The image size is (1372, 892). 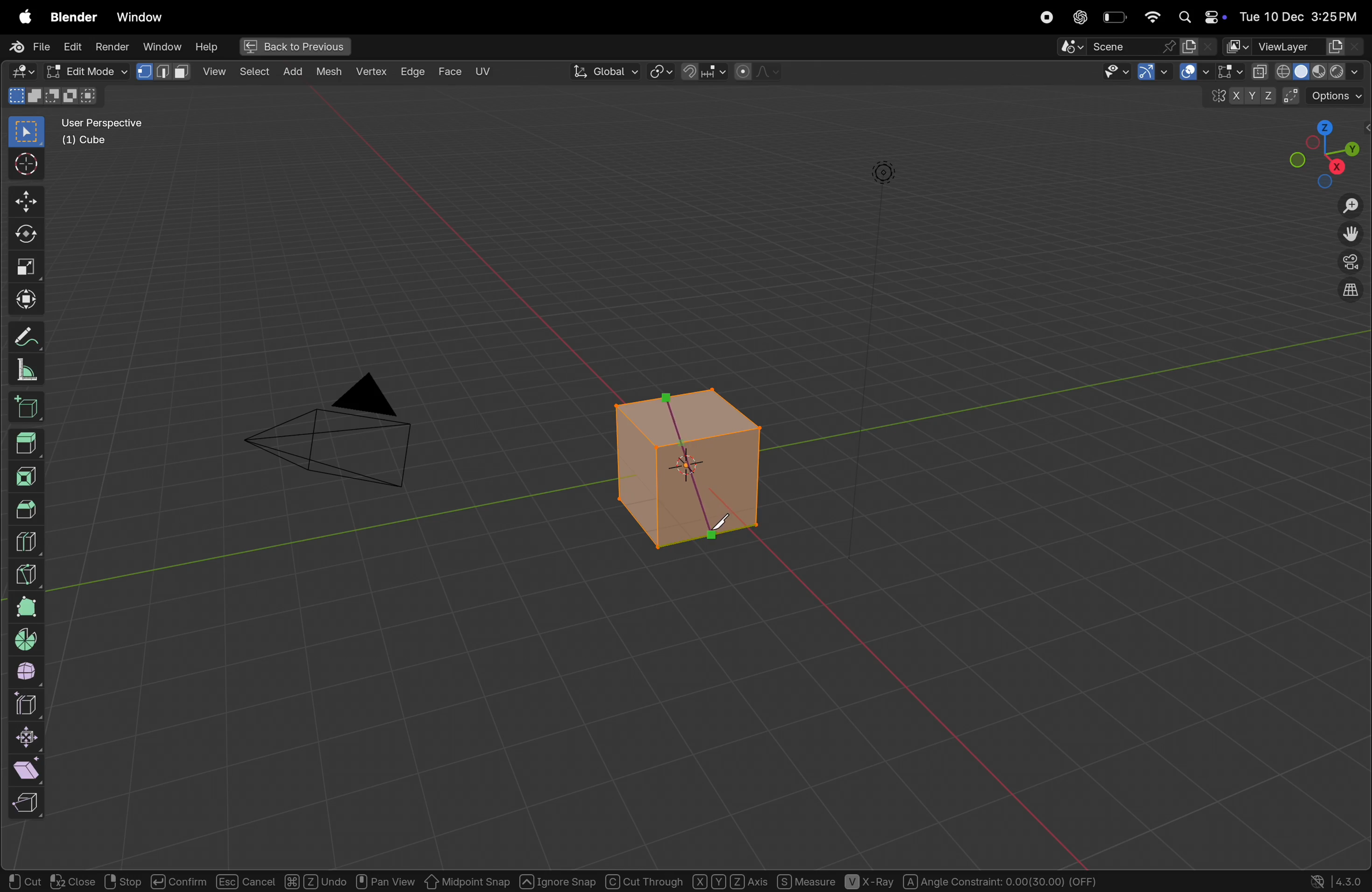 What do you see at coordinates (24, 803) in the screenshot?
I see `reep region` at bounding box center [24, 803].